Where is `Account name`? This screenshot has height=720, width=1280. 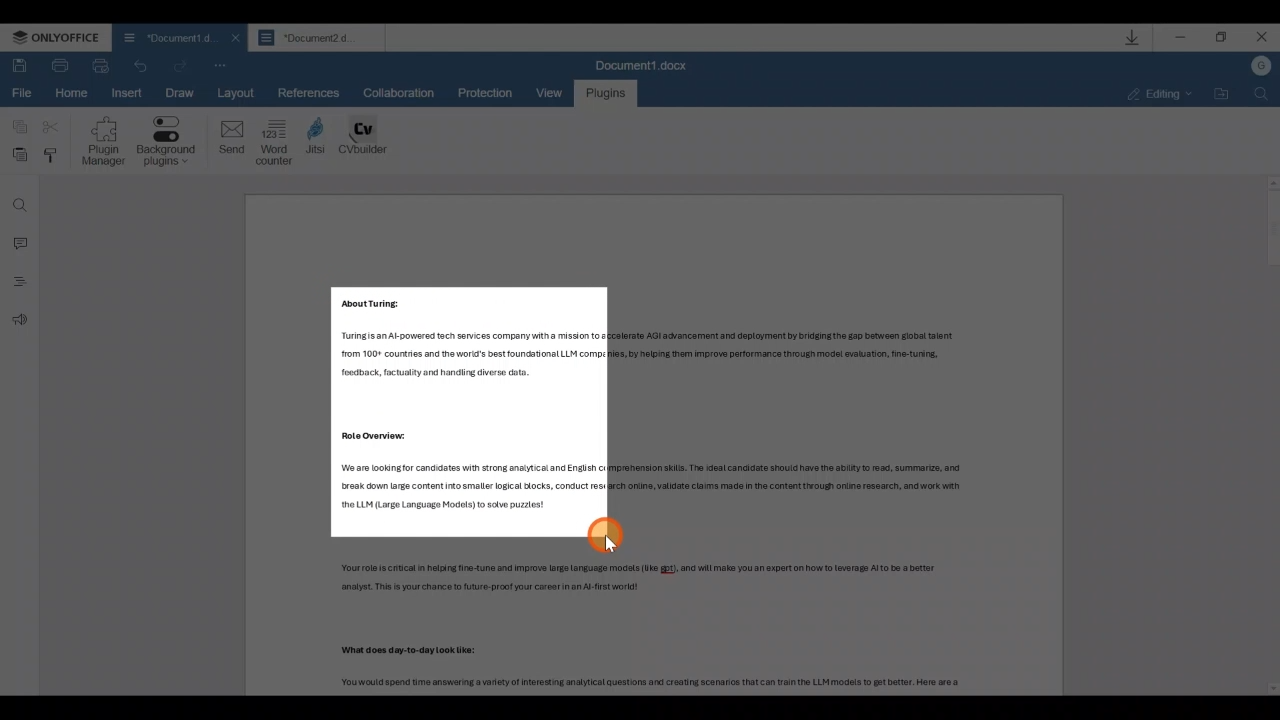
Account name is located at coordinates (1261, 70).